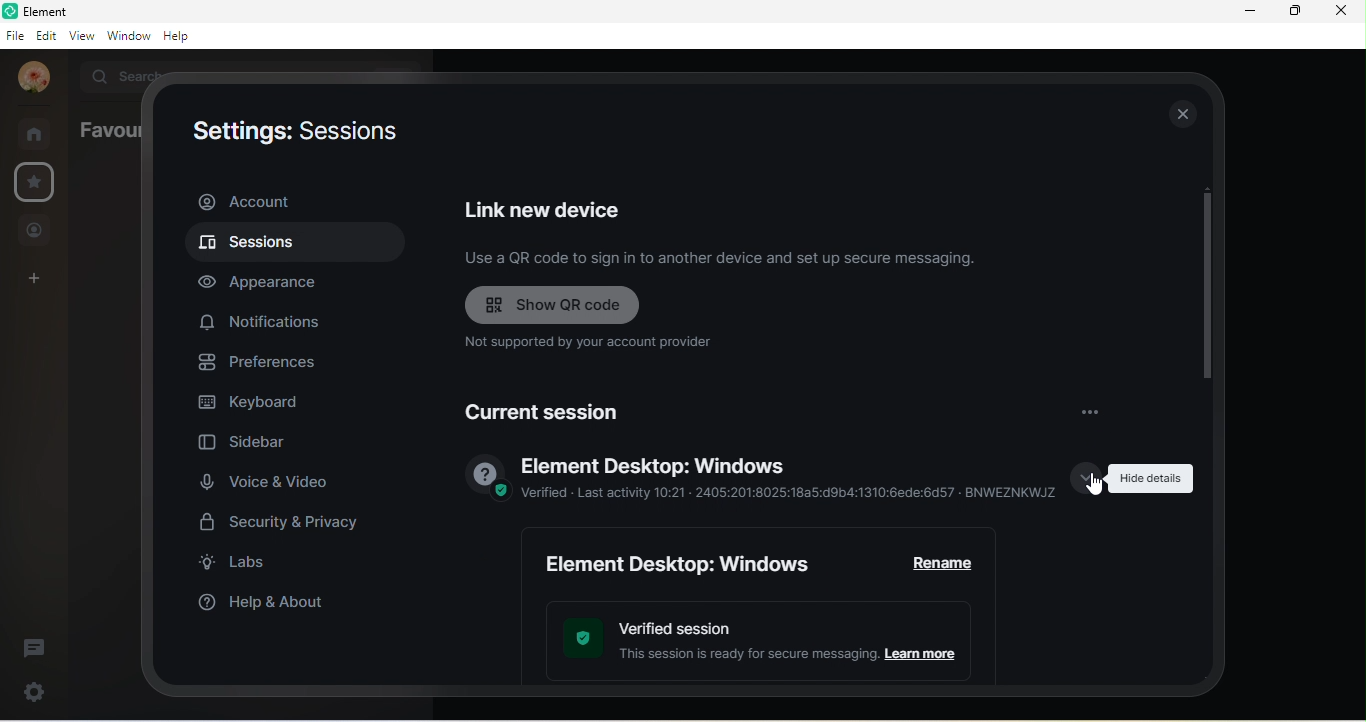 This screenshot has height=722, width=1366. What do you see at coordinates (489, 478) in the screenshot?
I see `verified image` at bounding box center [489, 478].